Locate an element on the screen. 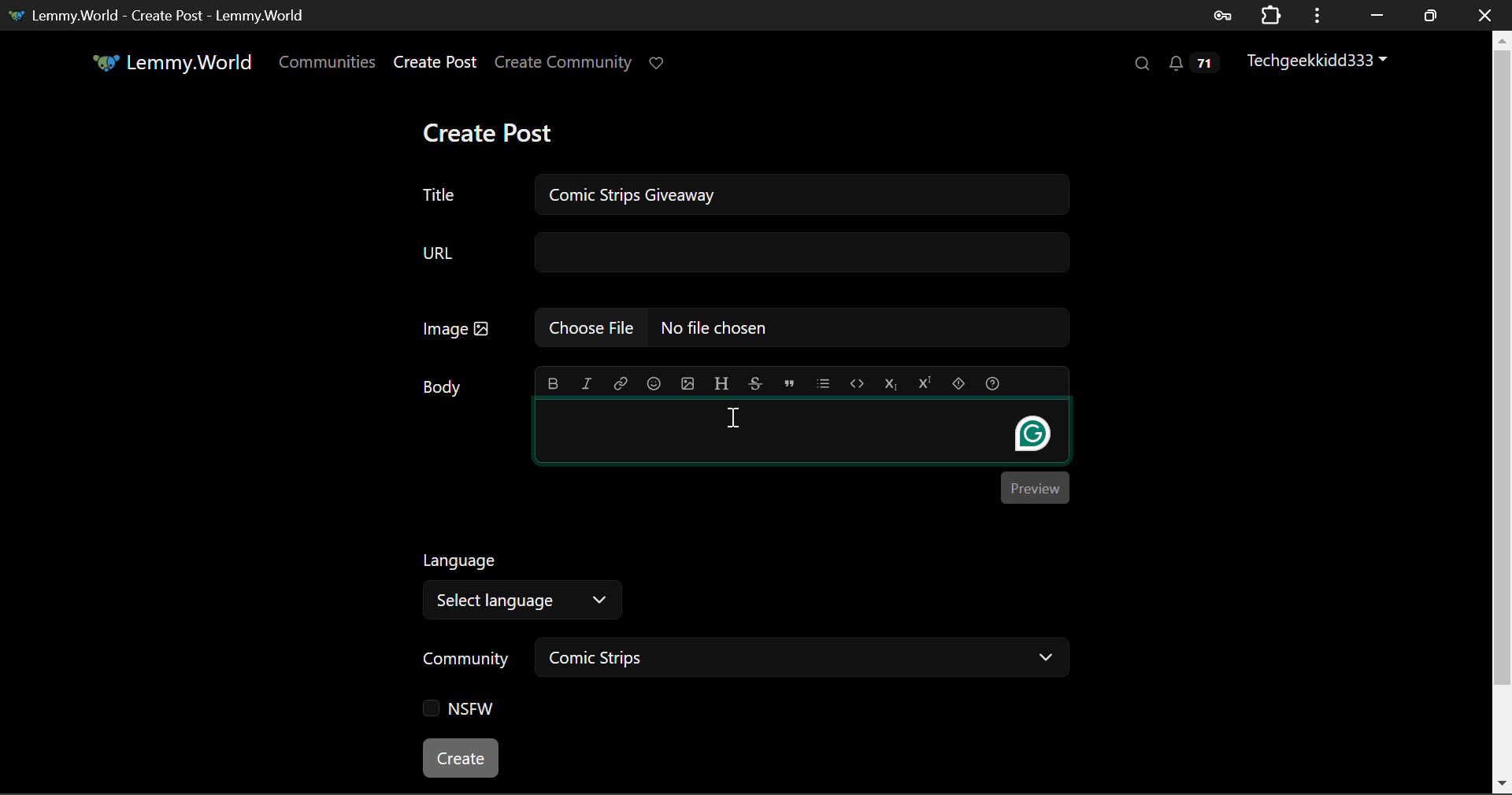 The height and width of the screenshot is (795, 1512). Preview is located at coordinates (1036, 485).